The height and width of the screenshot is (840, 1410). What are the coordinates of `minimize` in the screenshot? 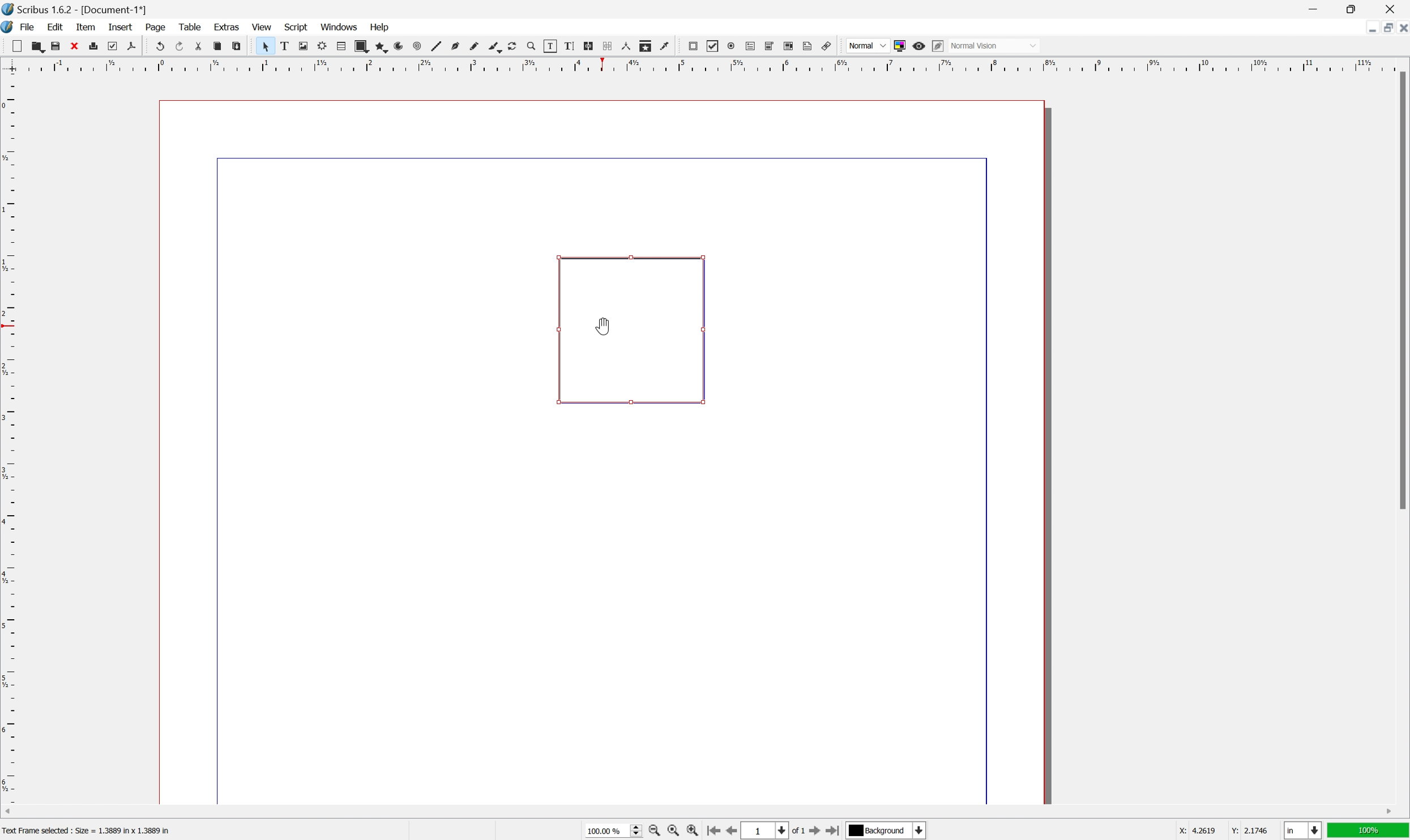 It's located at (1369, 29).